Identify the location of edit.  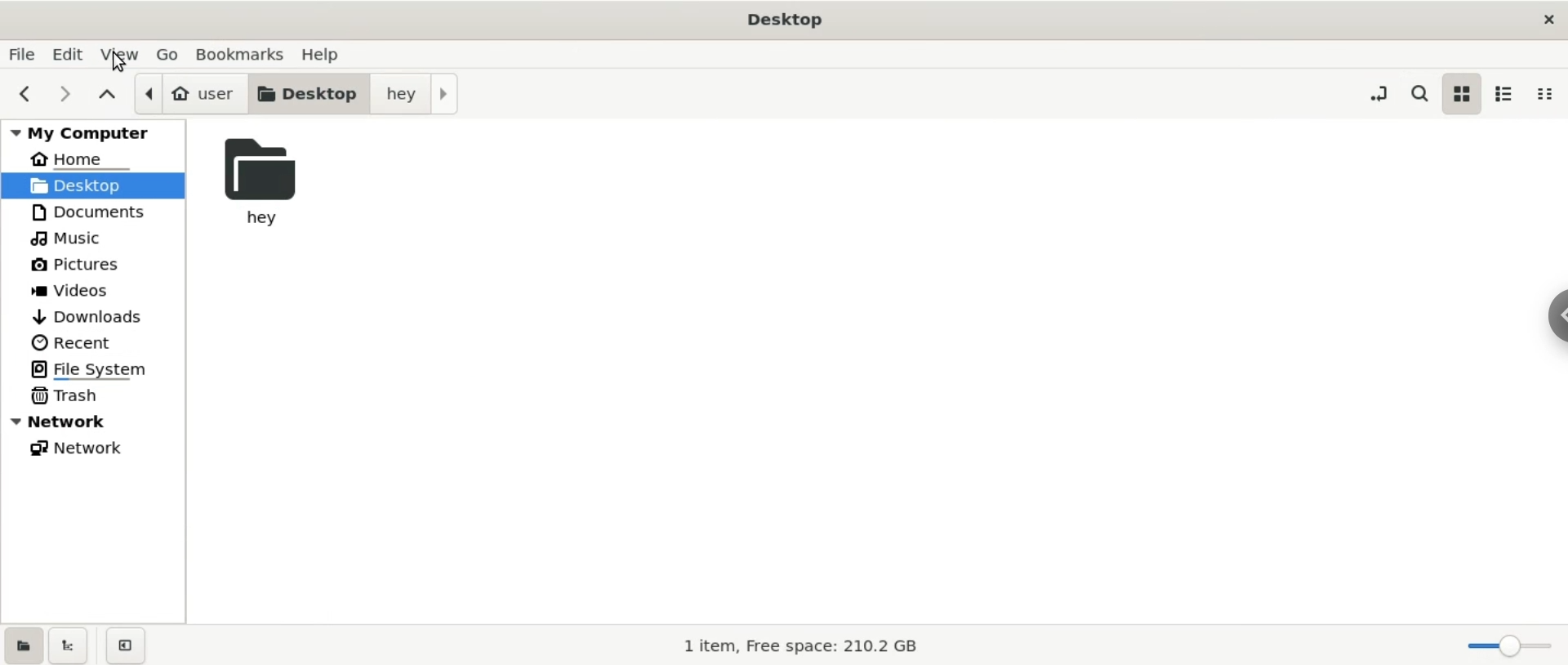
(73, 55).